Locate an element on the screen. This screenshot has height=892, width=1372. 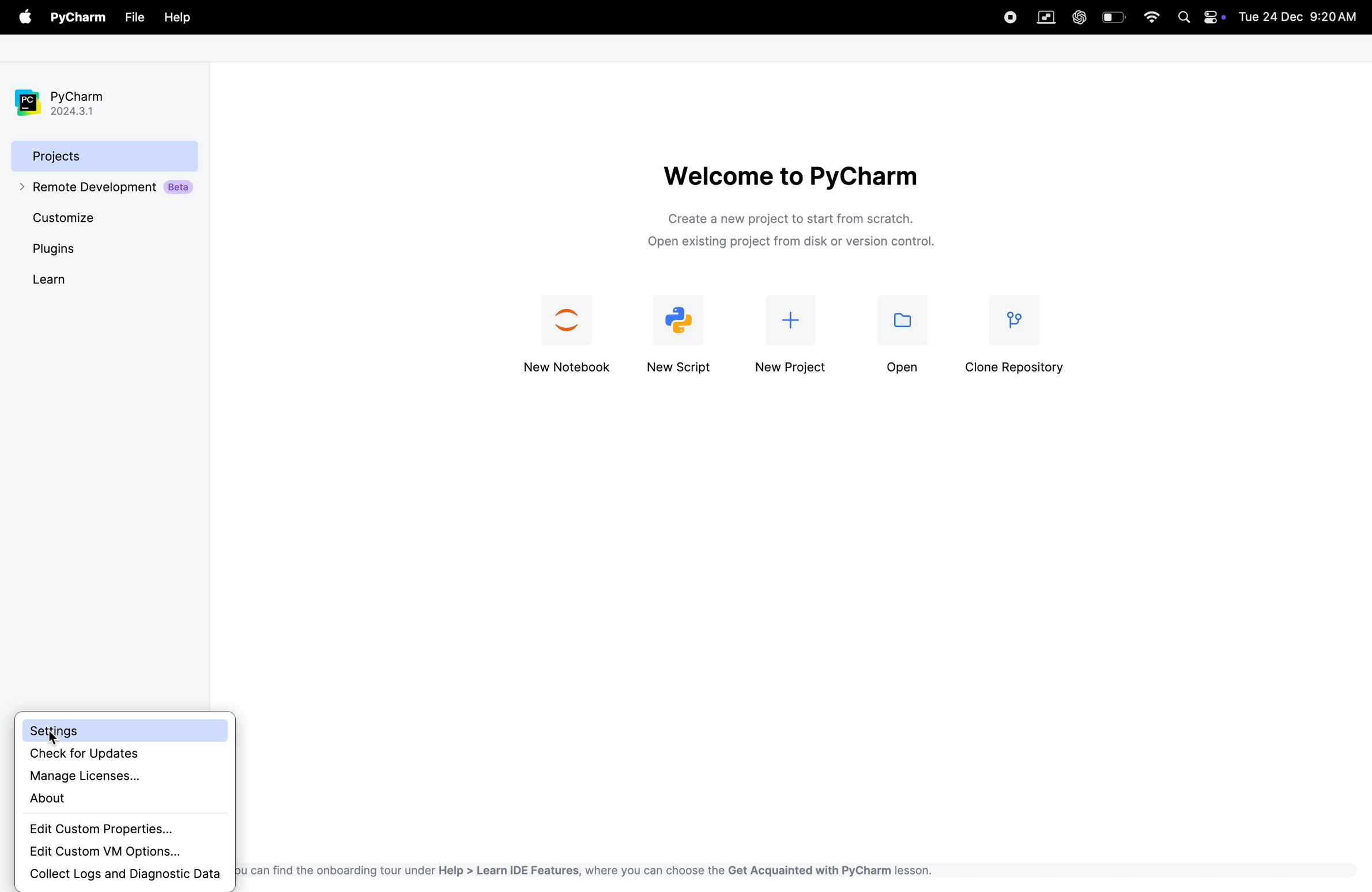
chatgpt is located at coordinates (1078, 17).